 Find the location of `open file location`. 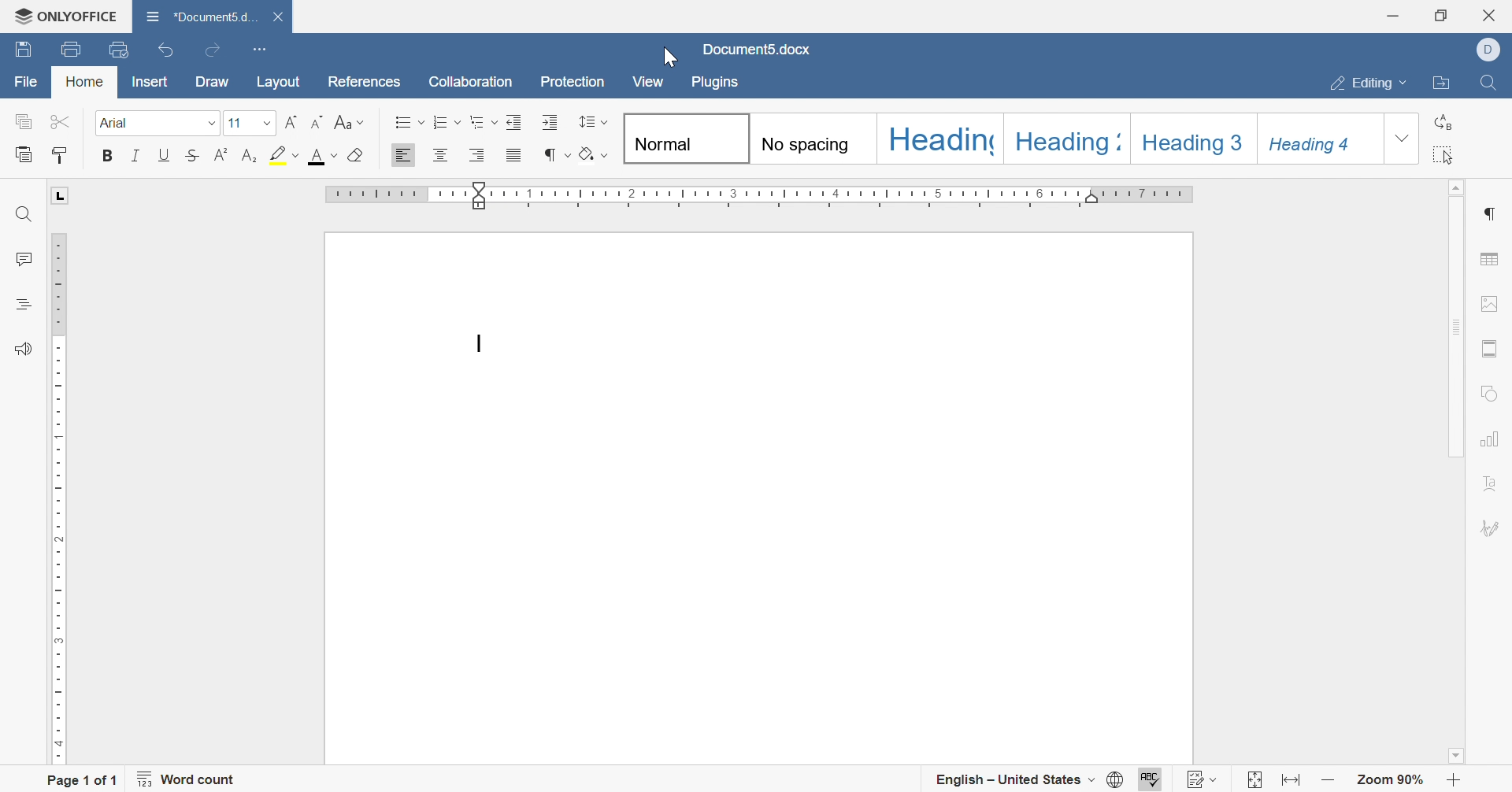

open file location is located at coordinates (1444, 83).